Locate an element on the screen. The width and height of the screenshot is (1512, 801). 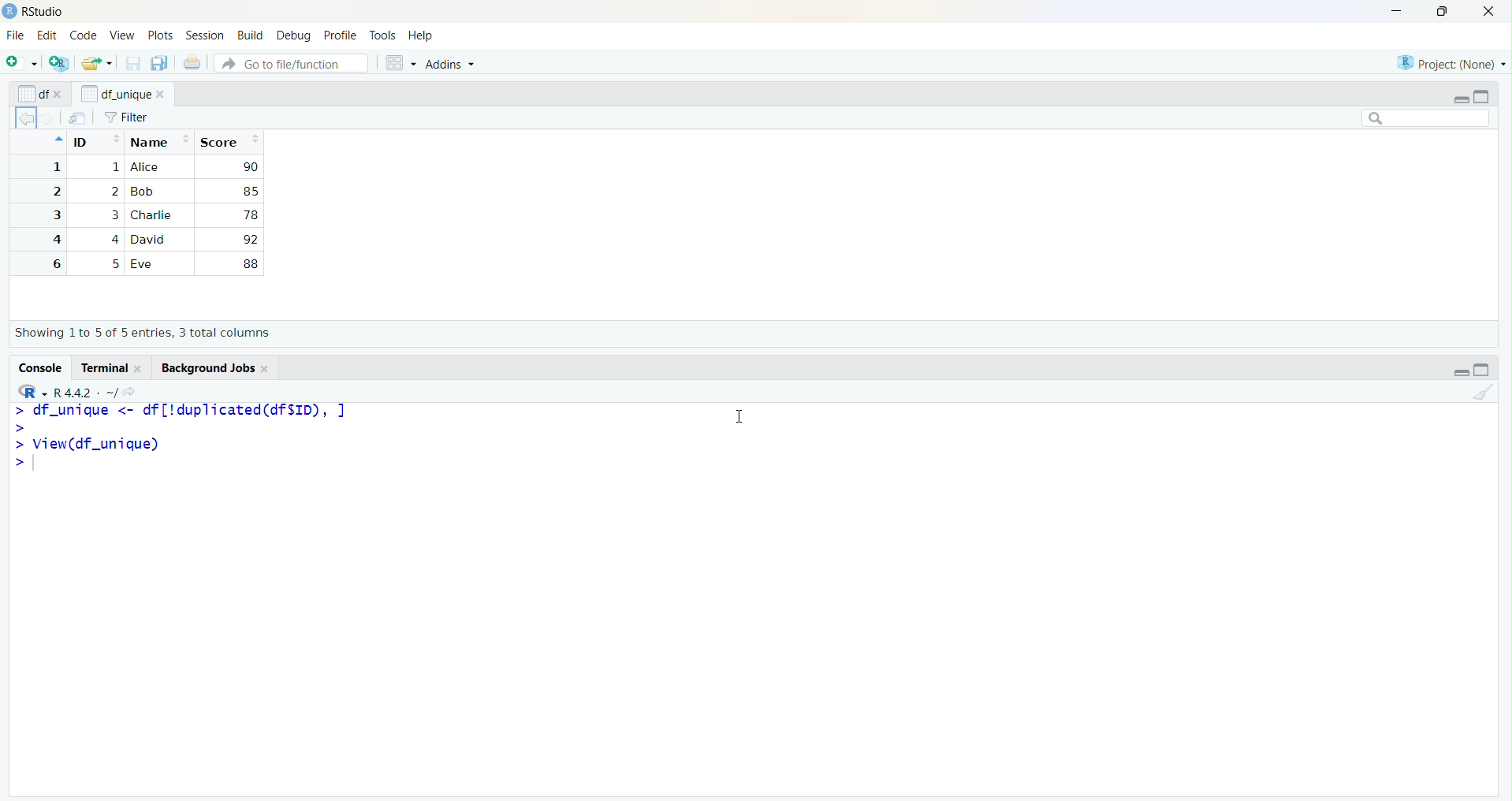
clear is located at coordinates (1482, 391).